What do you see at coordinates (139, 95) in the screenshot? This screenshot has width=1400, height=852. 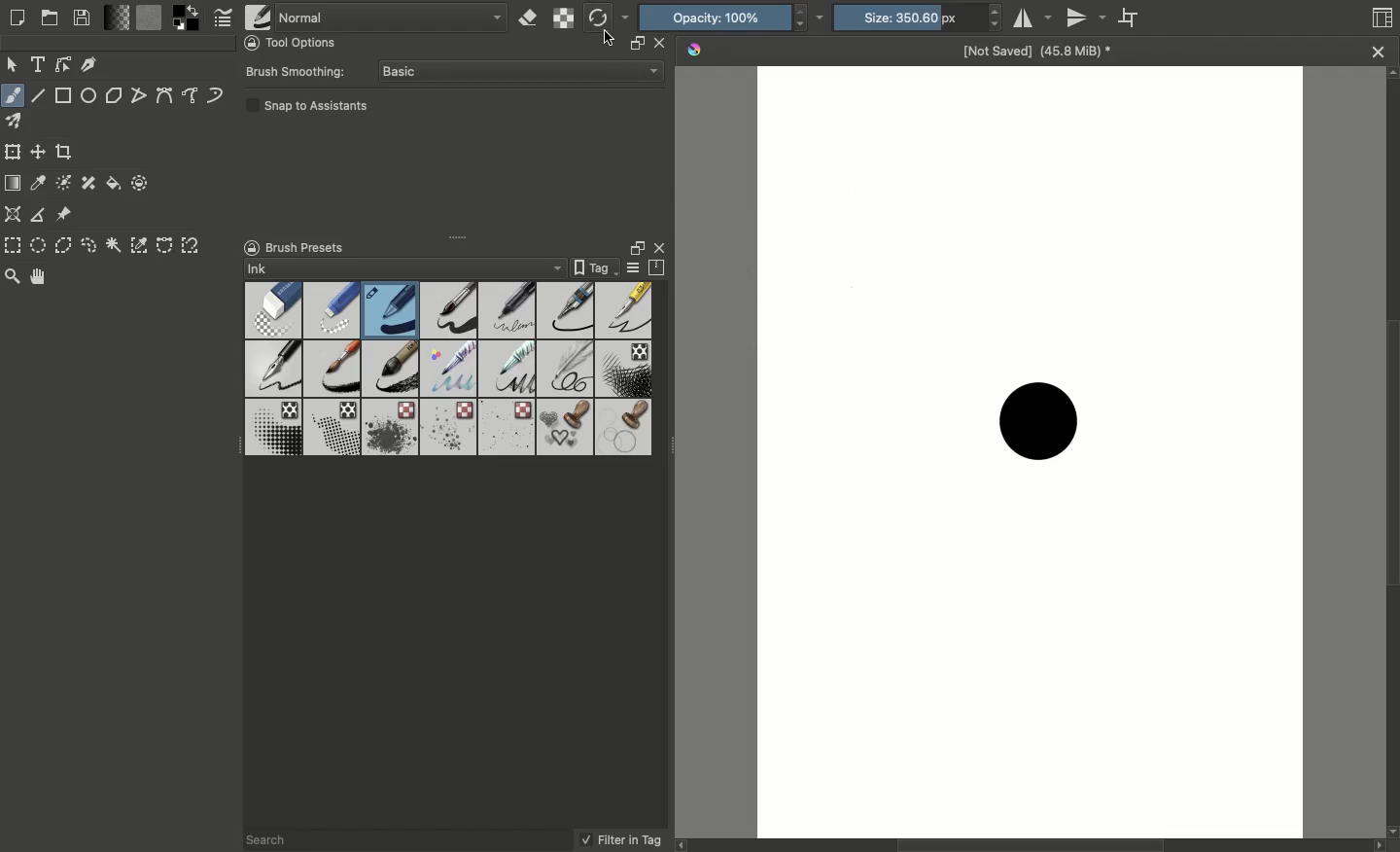 I see `Polyline` at bounding box center [139, 95].